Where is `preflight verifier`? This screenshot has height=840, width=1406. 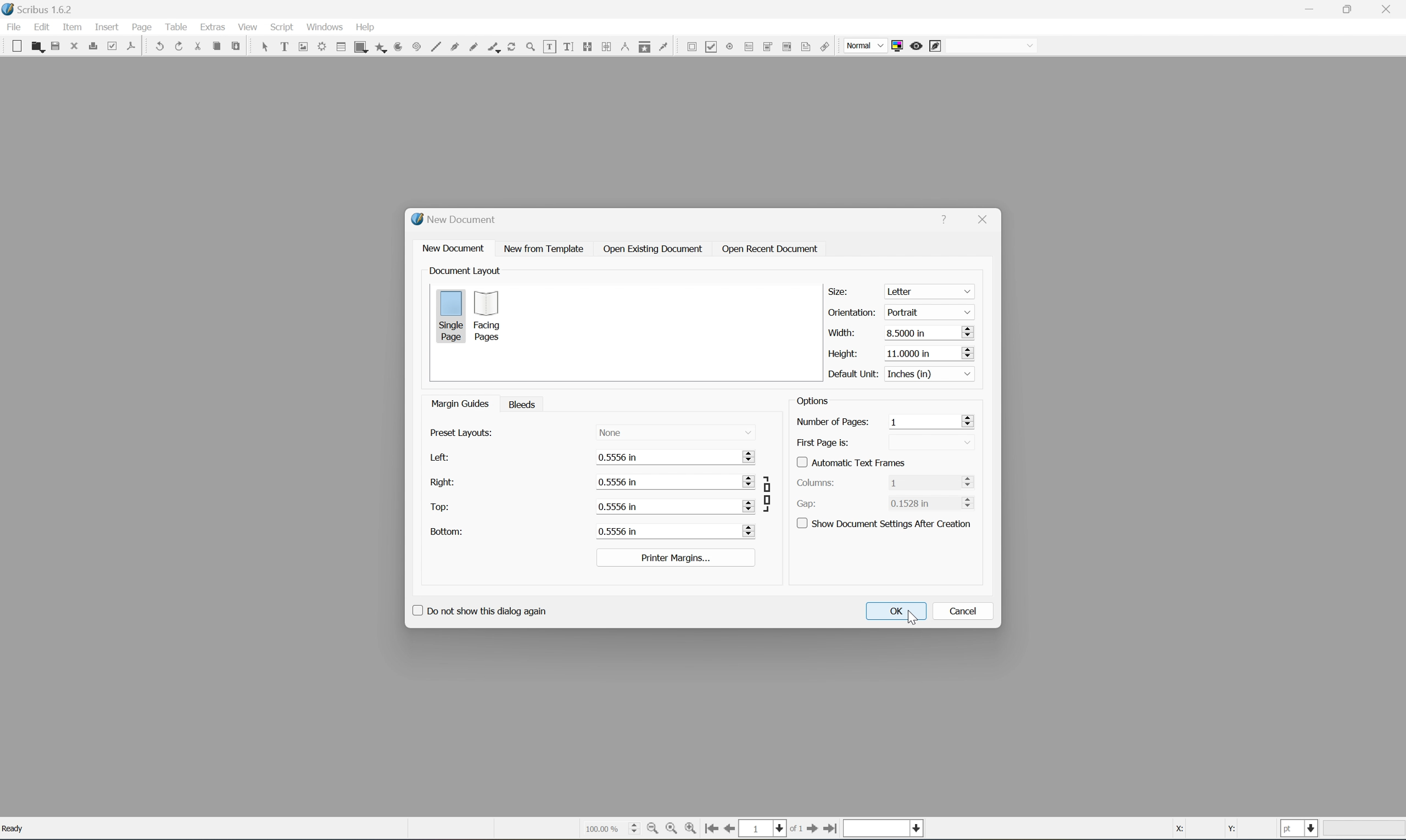
preflight verifier is located at coordinates (112, 46).